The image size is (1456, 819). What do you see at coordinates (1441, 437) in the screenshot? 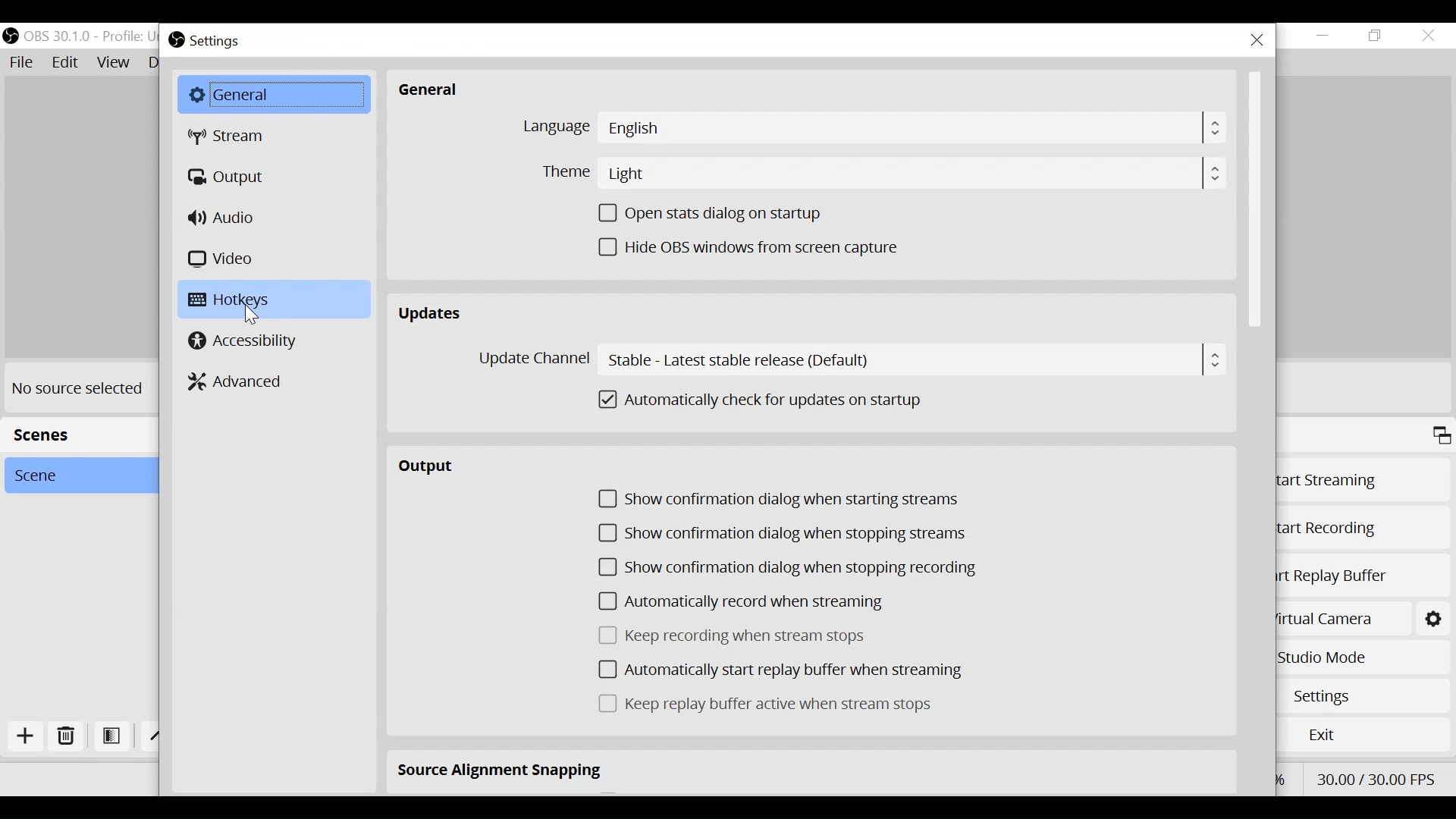
I see `Maximize` at bounding box center [1441, 437].